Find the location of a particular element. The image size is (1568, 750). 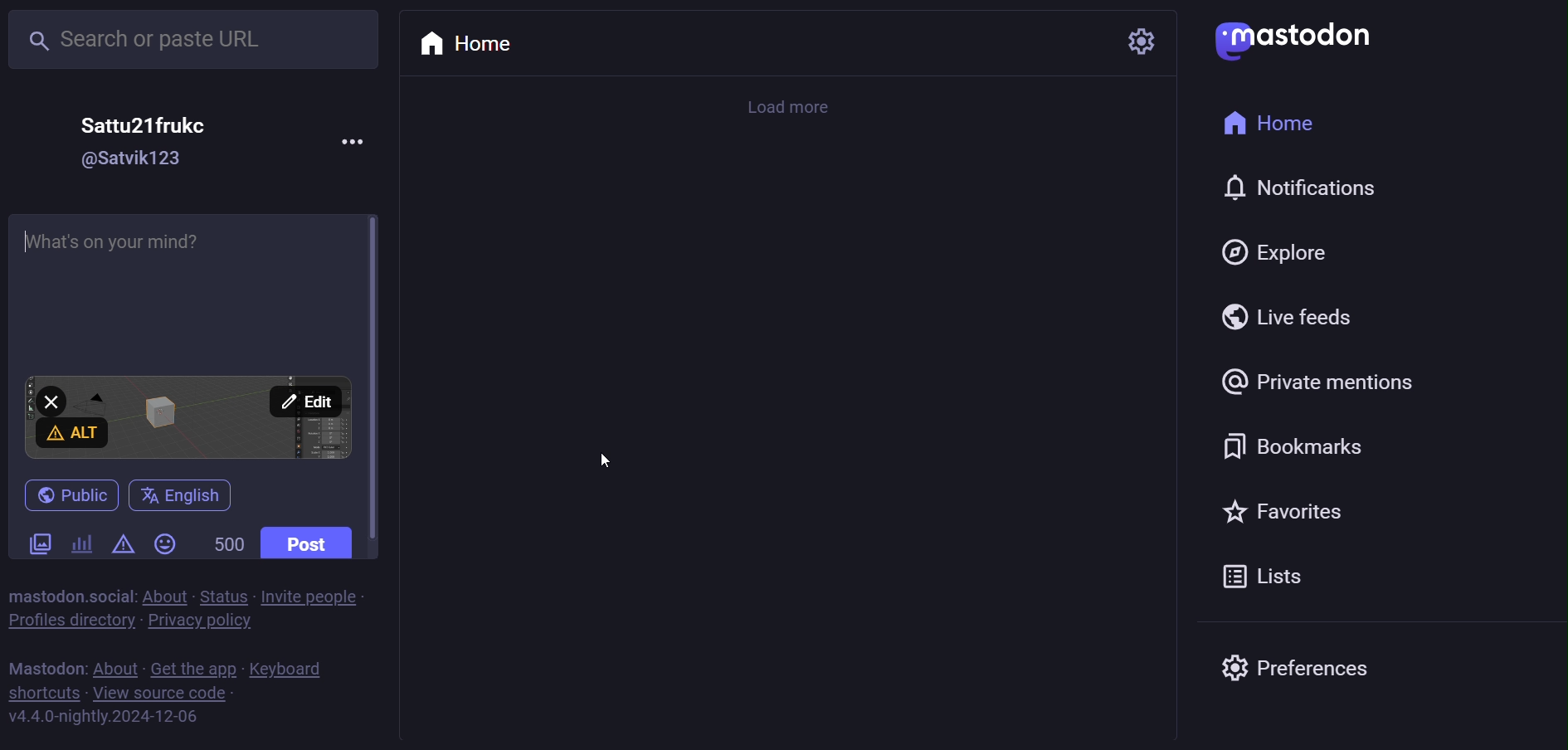

home is located at coordinates (1301, 126).